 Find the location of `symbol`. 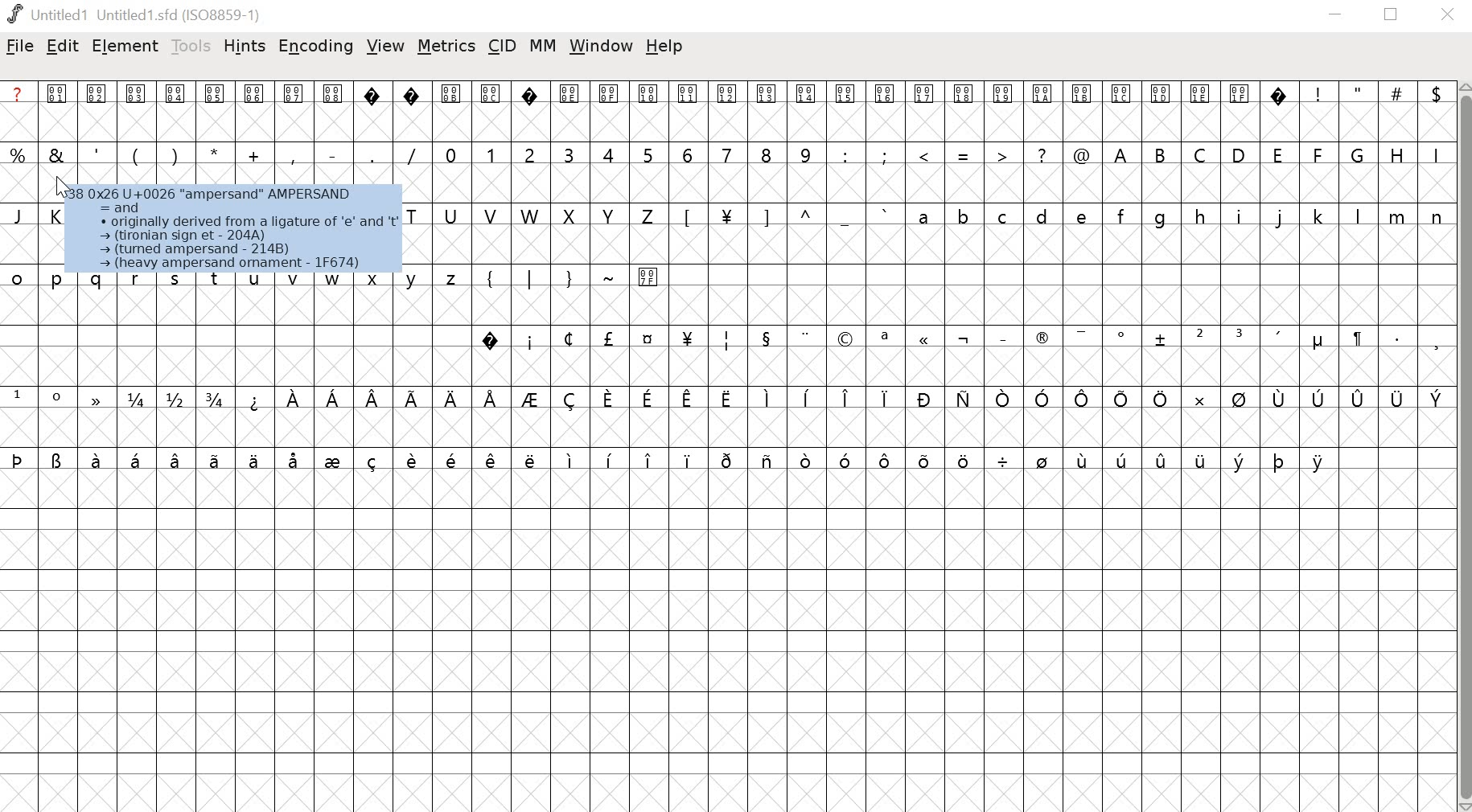

symbol is located at coordinates (1359, 399).